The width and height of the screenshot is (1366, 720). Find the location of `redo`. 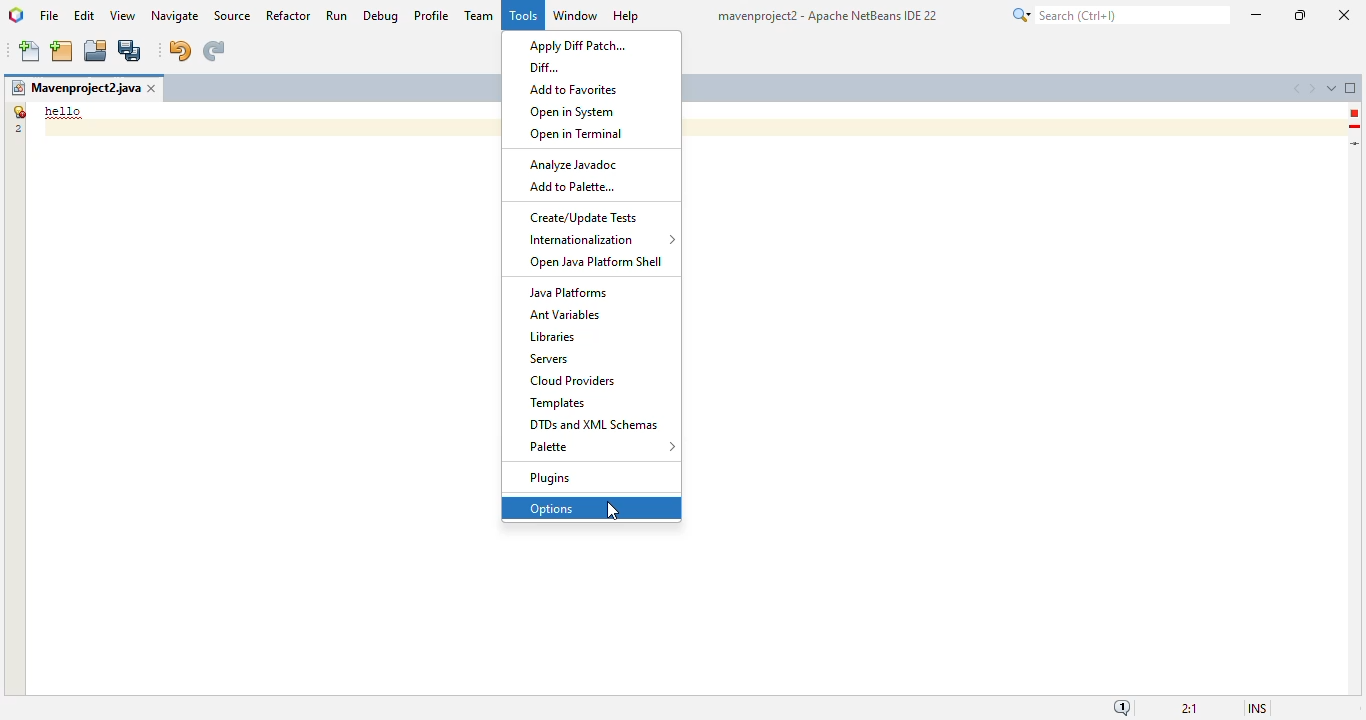

redo is located at coordinates (213, 51).